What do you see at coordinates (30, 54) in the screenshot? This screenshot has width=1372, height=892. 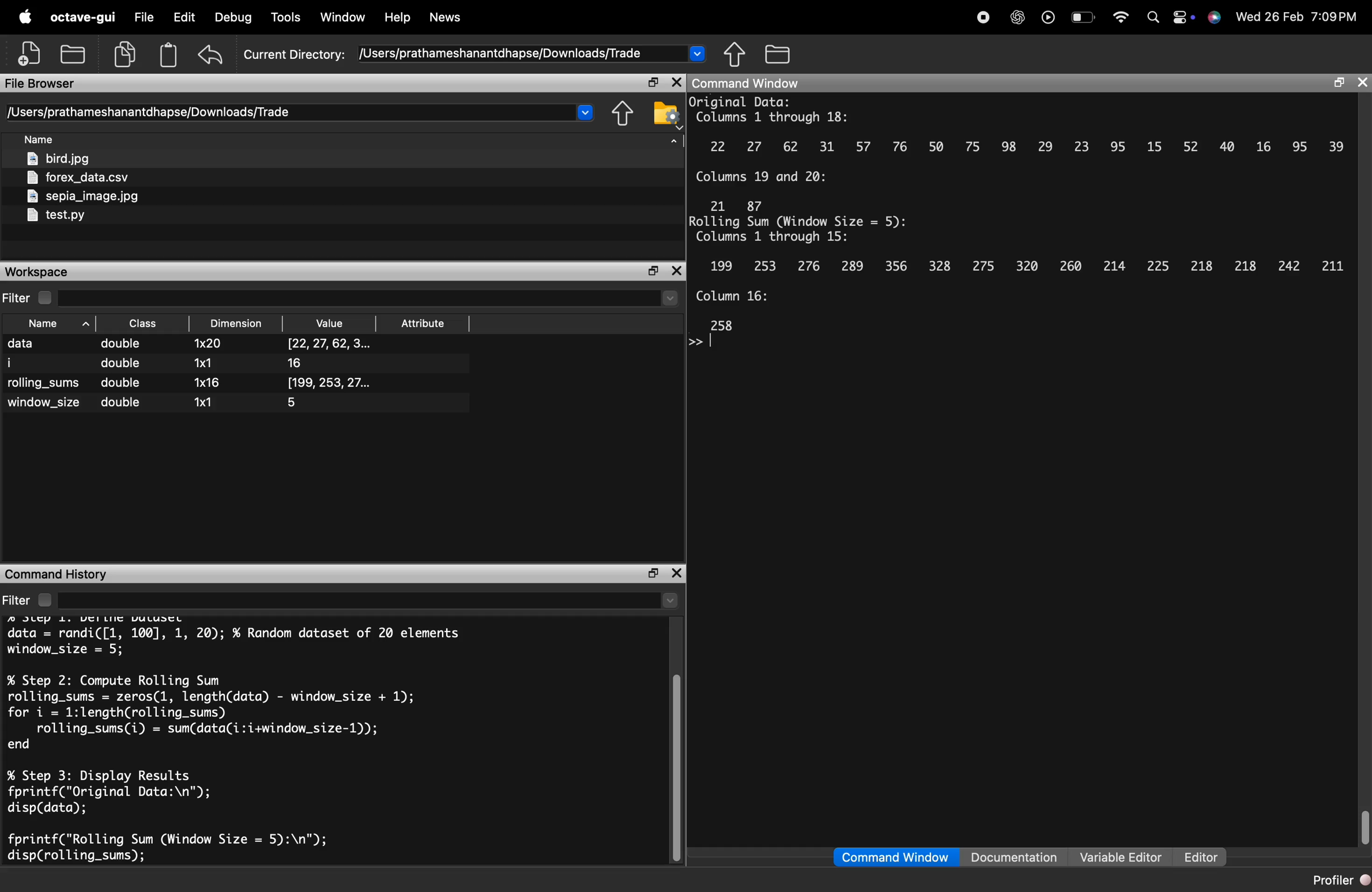 I see `new script` at bounding box center [30, 54].